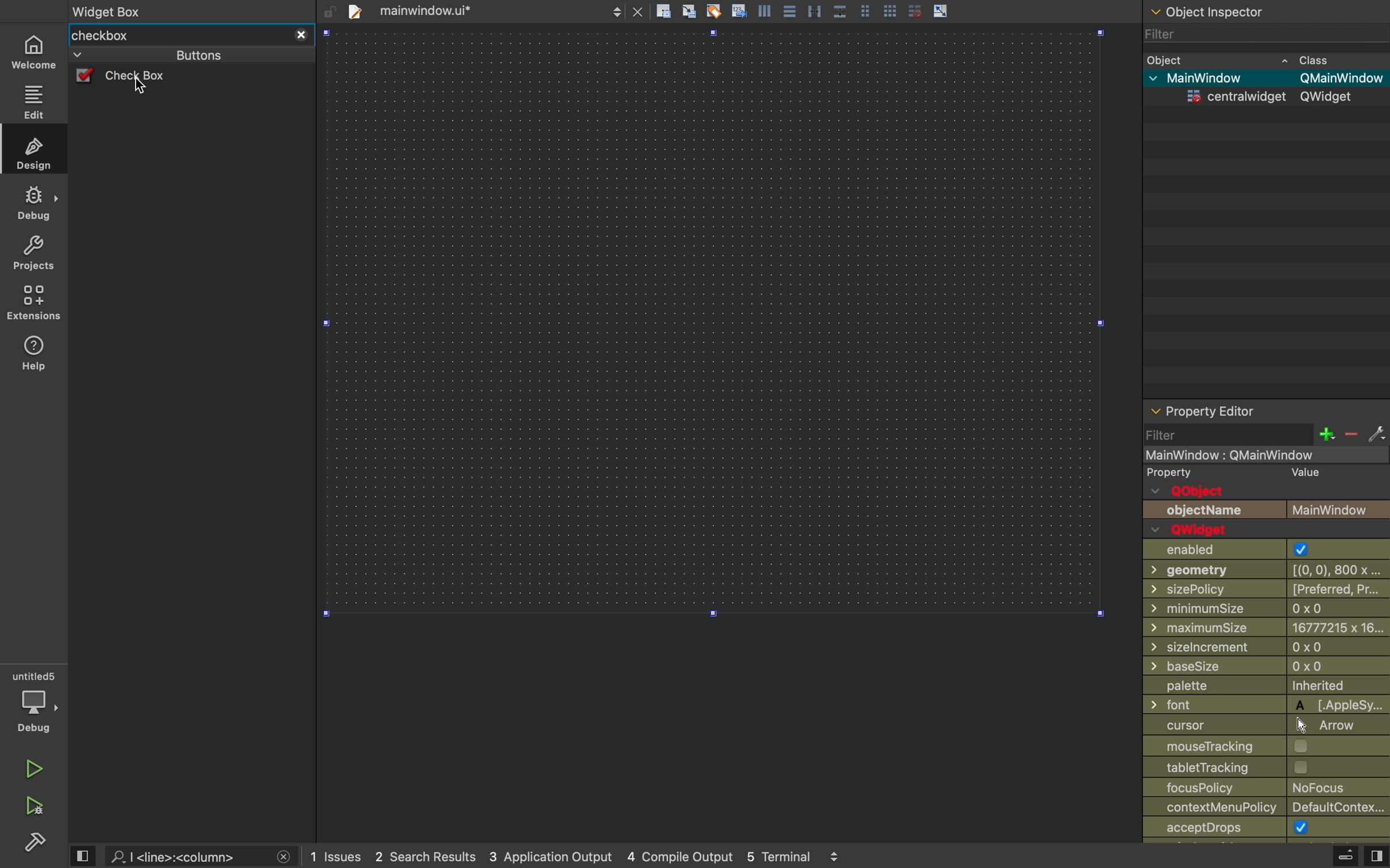 The height and width of the screenshot is (868, 1390). I want to click on font, so click(1267, 704).